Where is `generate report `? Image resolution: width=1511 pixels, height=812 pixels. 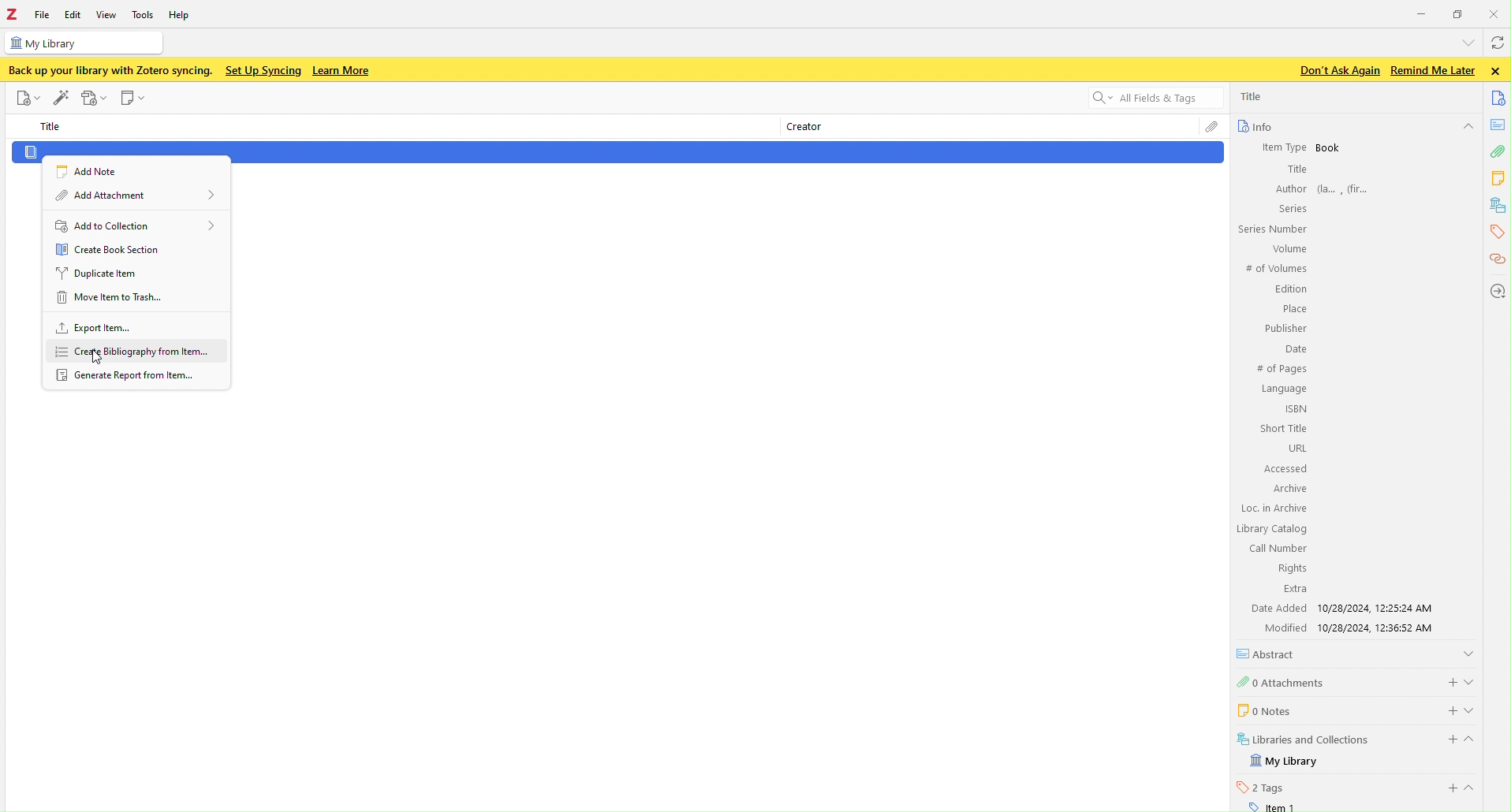
generate report  is located at coordinates (140, 374).